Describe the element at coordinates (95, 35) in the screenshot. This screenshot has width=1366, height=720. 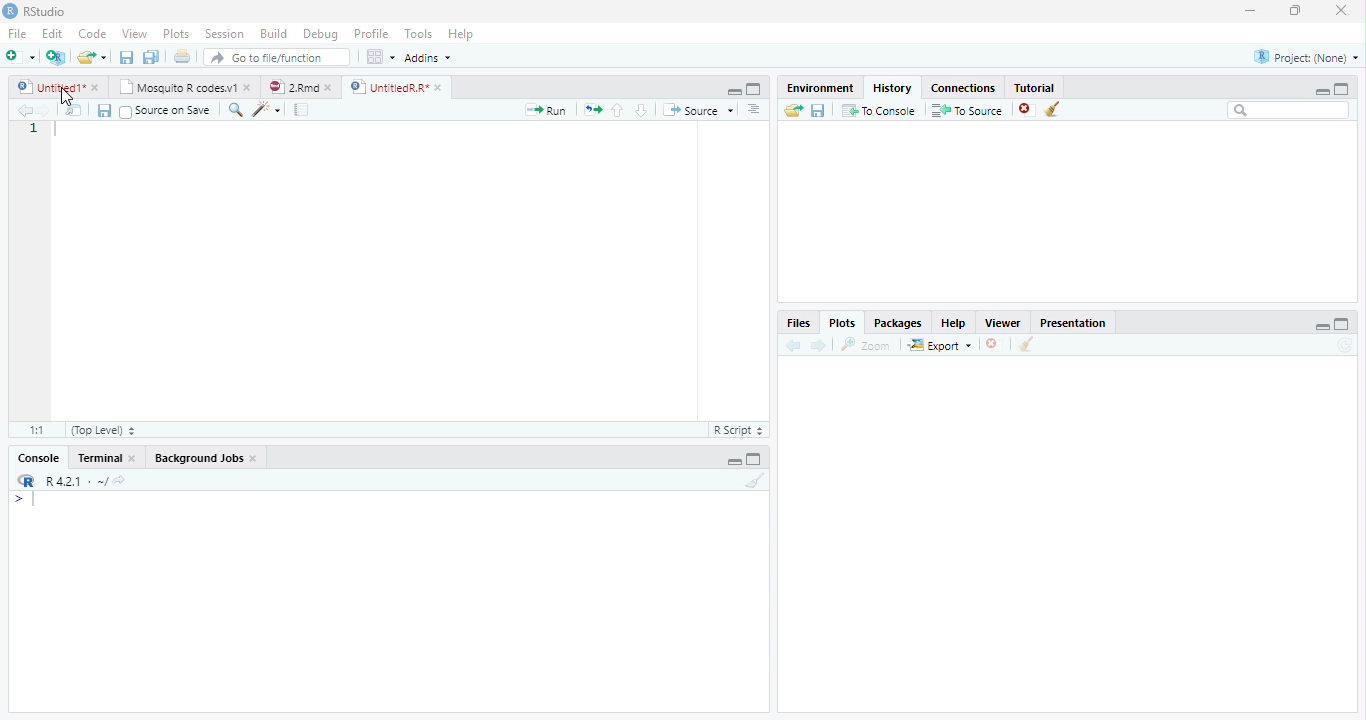
I see `Code` at that location.